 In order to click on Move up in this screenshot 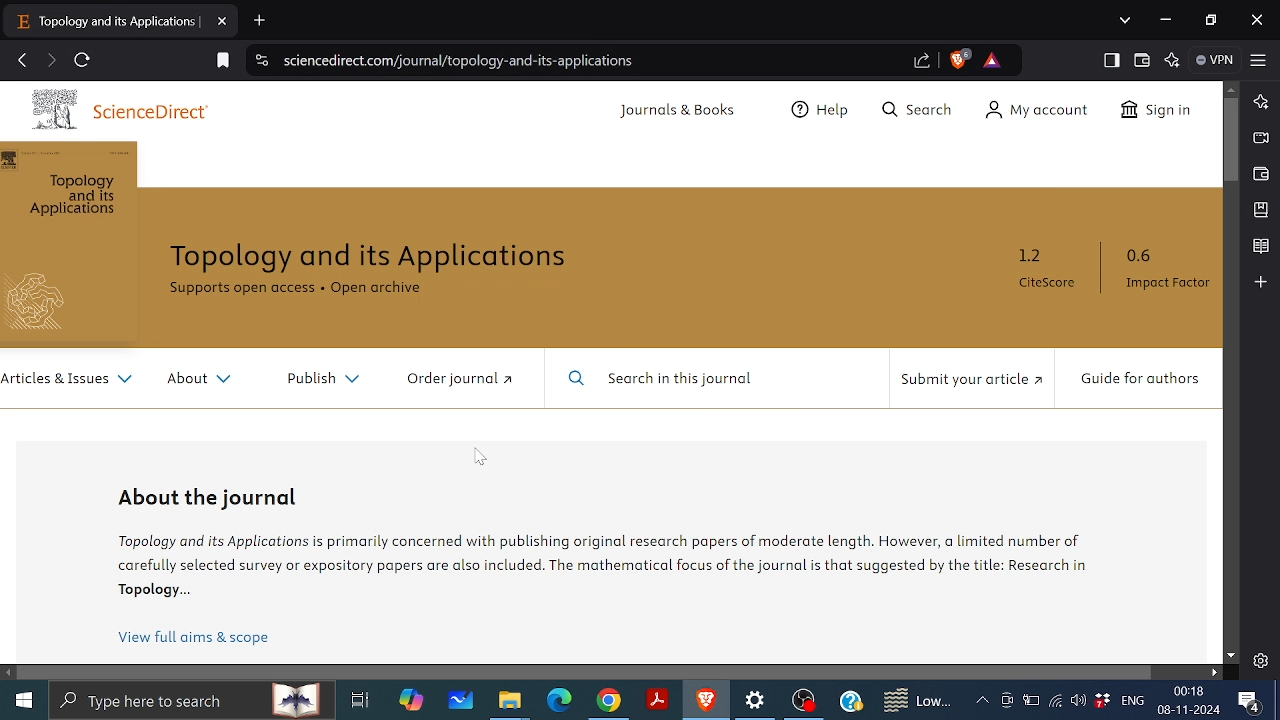, I will do `click(1233, 89)`.